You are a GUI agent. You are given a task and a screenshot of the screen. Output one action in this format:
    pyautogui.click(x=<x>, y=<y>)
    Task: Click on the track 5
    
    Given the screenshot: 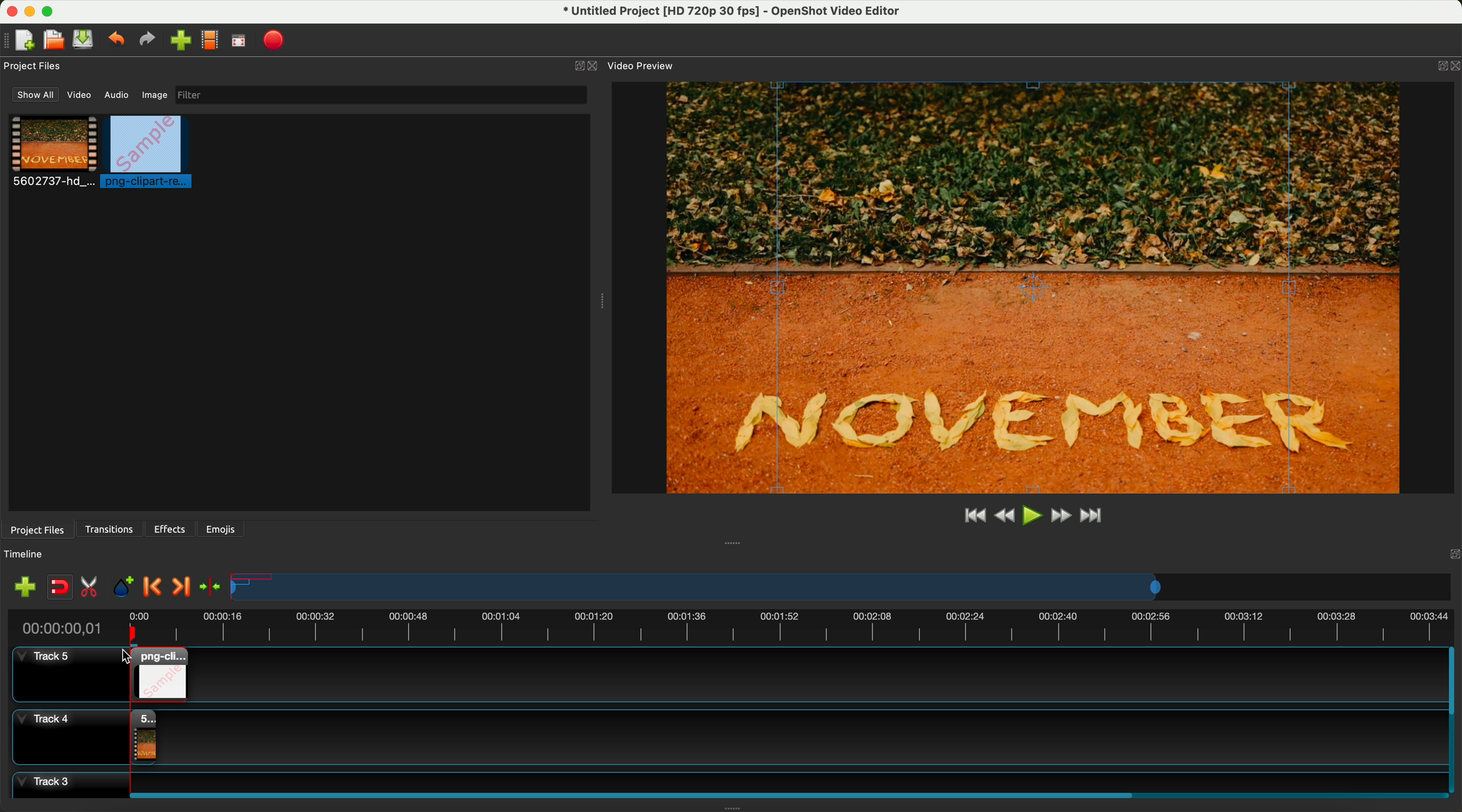 What is the action you would take?
    pyautogui.click(x=60, y=675)
    